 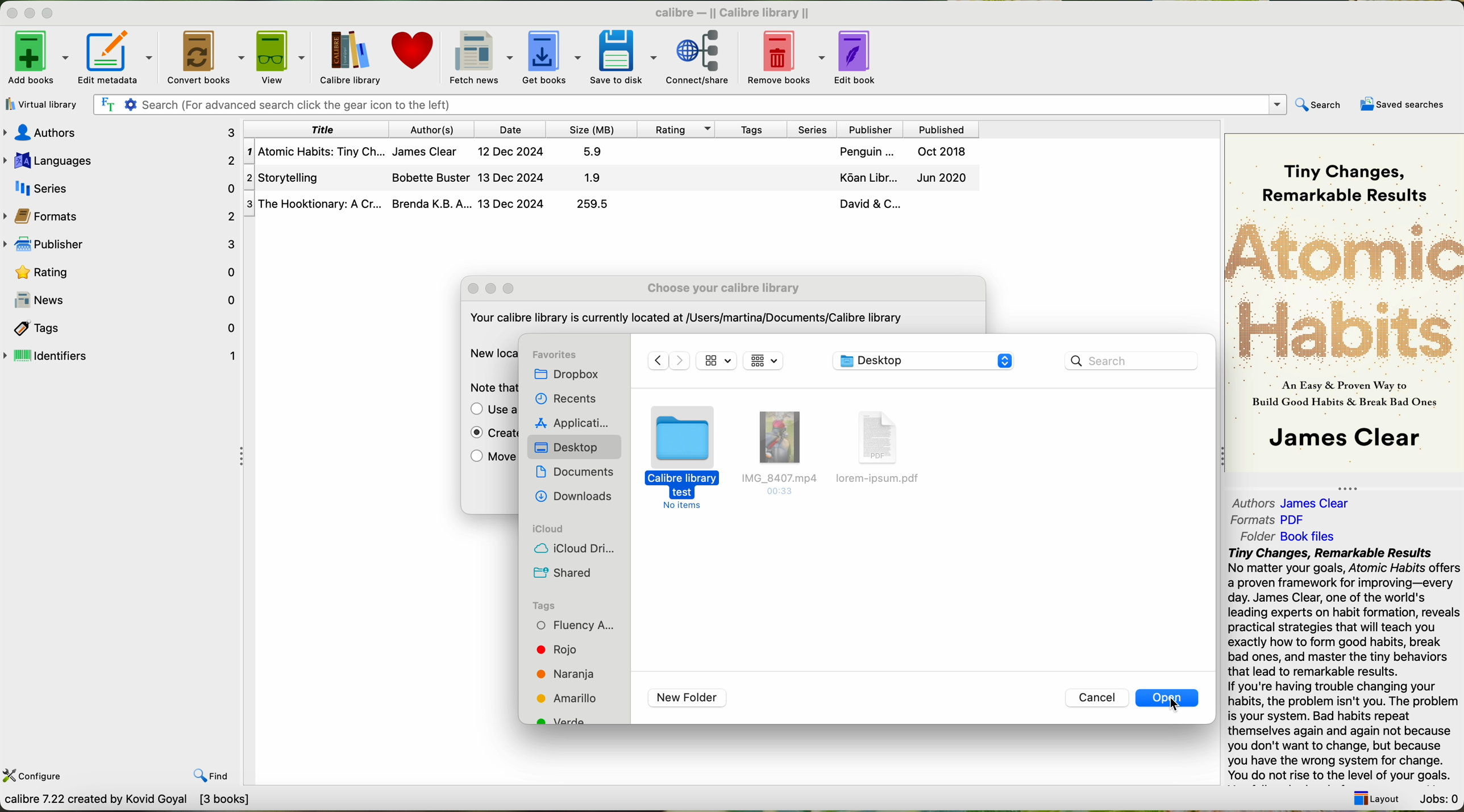 I want to click on authors, so click(x=124, y=132).